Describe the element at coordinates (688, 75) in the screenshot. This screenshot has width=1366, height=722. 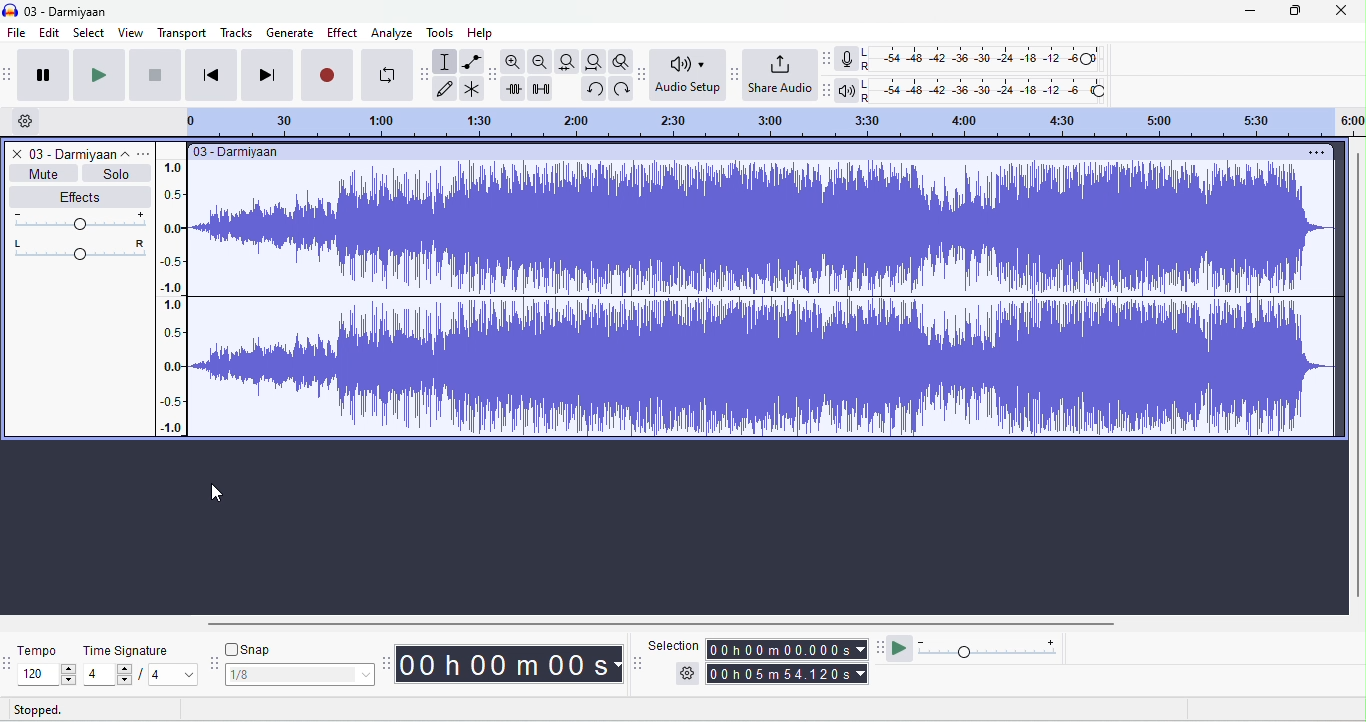
I see `audio set up` at that location.